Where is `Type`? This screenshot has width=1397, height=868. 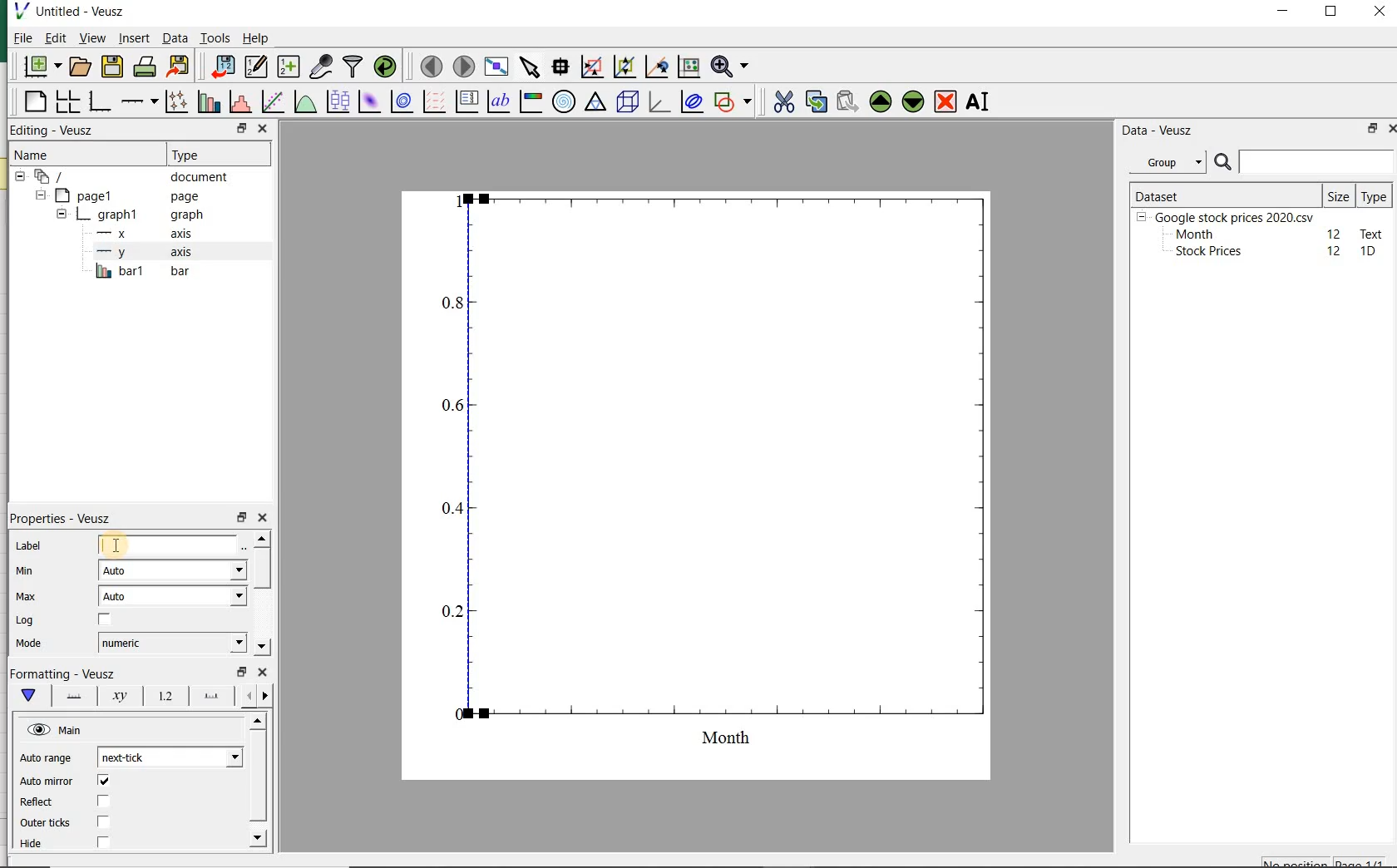
Type is located at coordinates (207, 153).